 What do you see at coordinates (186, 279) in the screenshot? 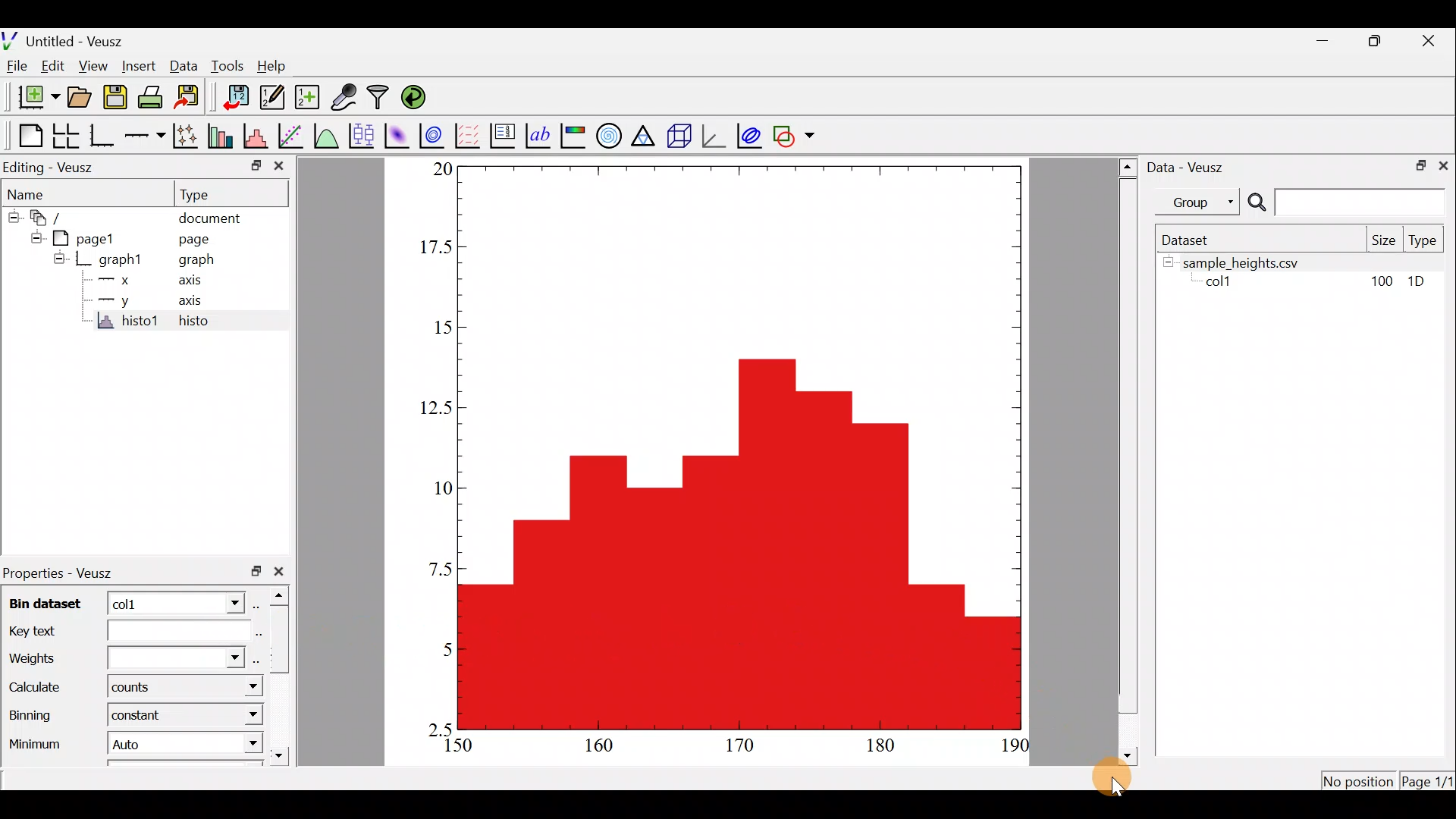
I see `axis` at bounding box center [186, 279].